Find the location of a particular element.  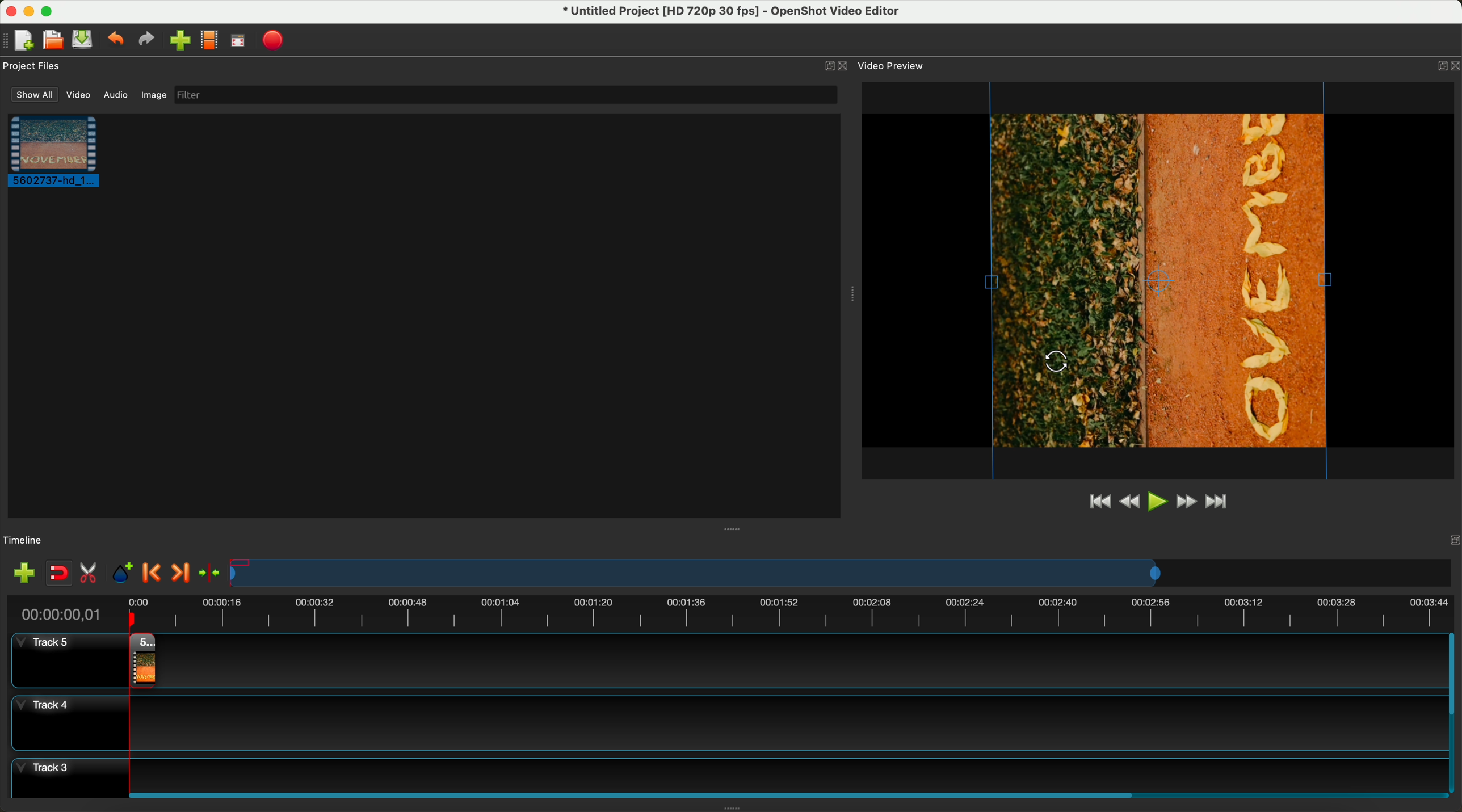

track 5 is located at coordinates (62, 660).